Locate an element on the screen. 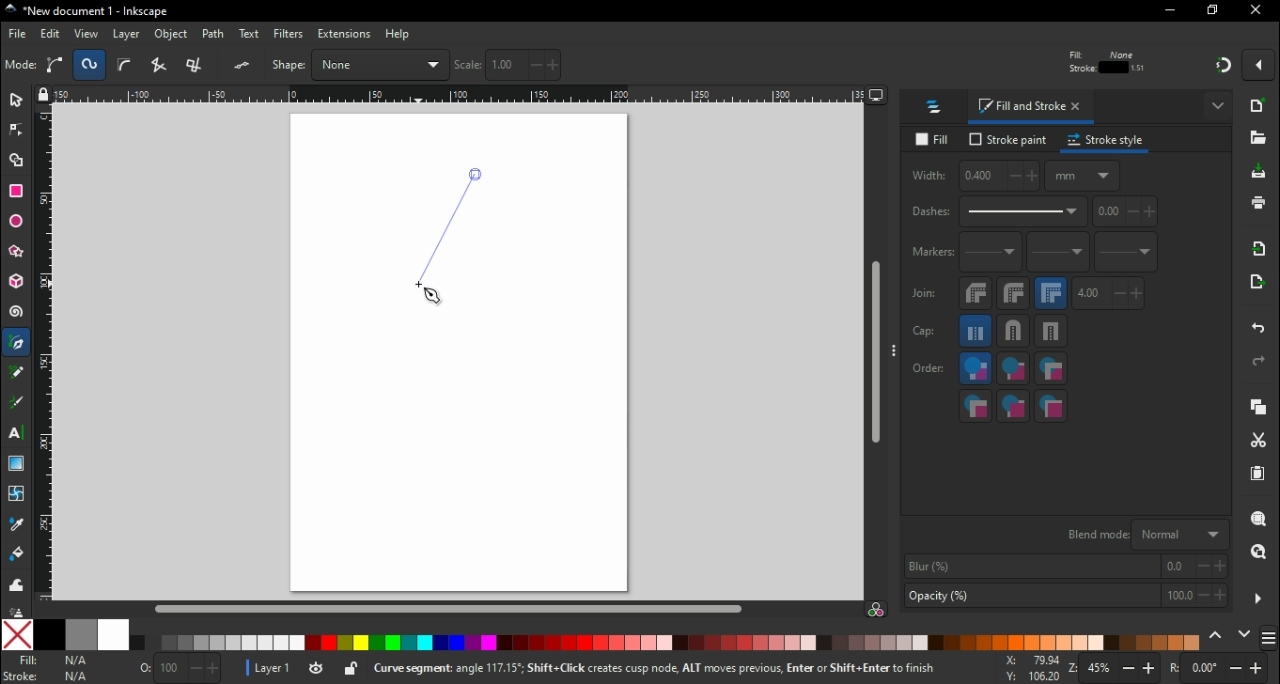  shortcuts and notifications is located at coordinates (679, 667).